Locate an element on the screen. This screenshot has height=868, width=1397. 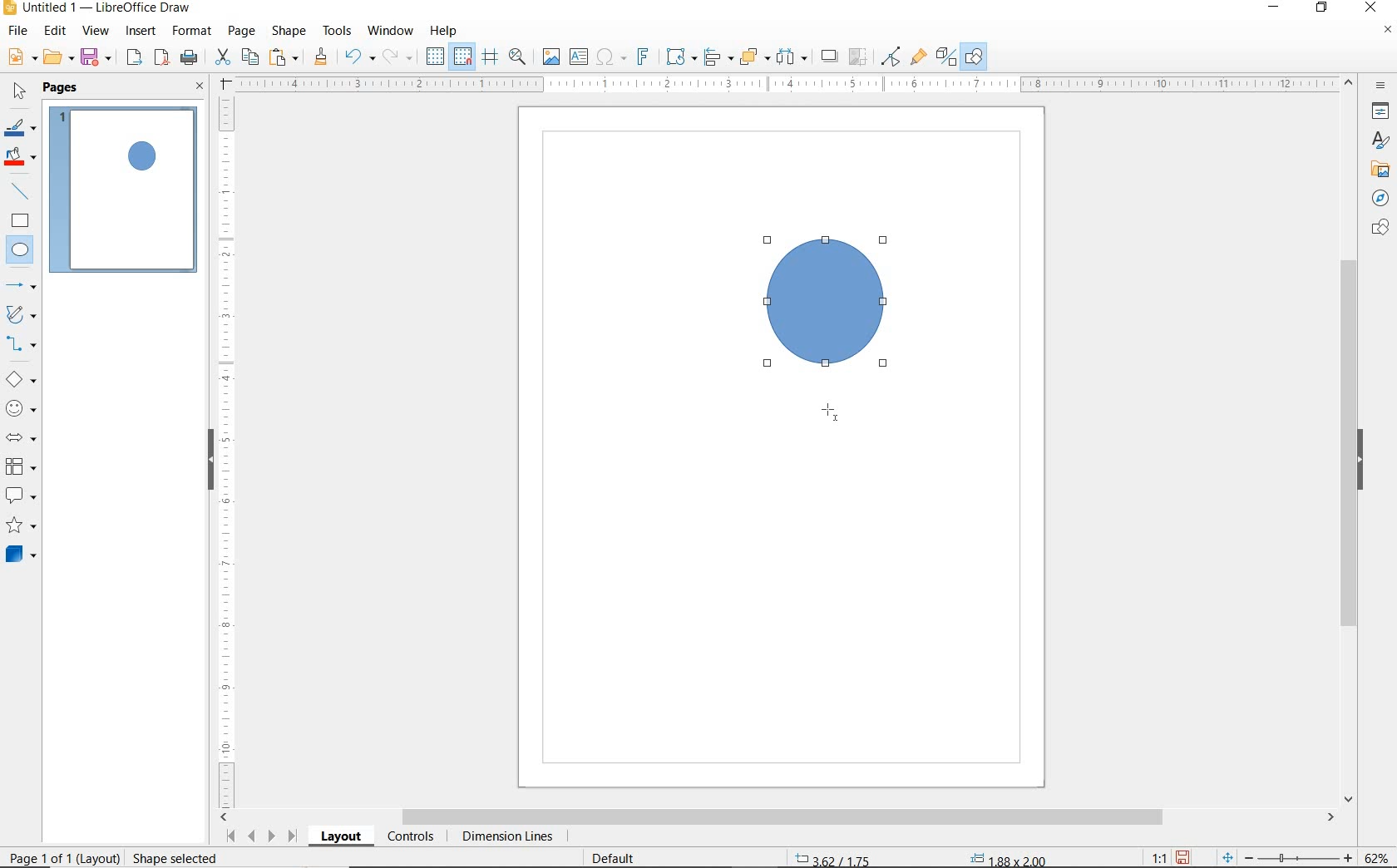
ZOOM OUT OR ZOOM IN is located at coordinates (1287, 858).